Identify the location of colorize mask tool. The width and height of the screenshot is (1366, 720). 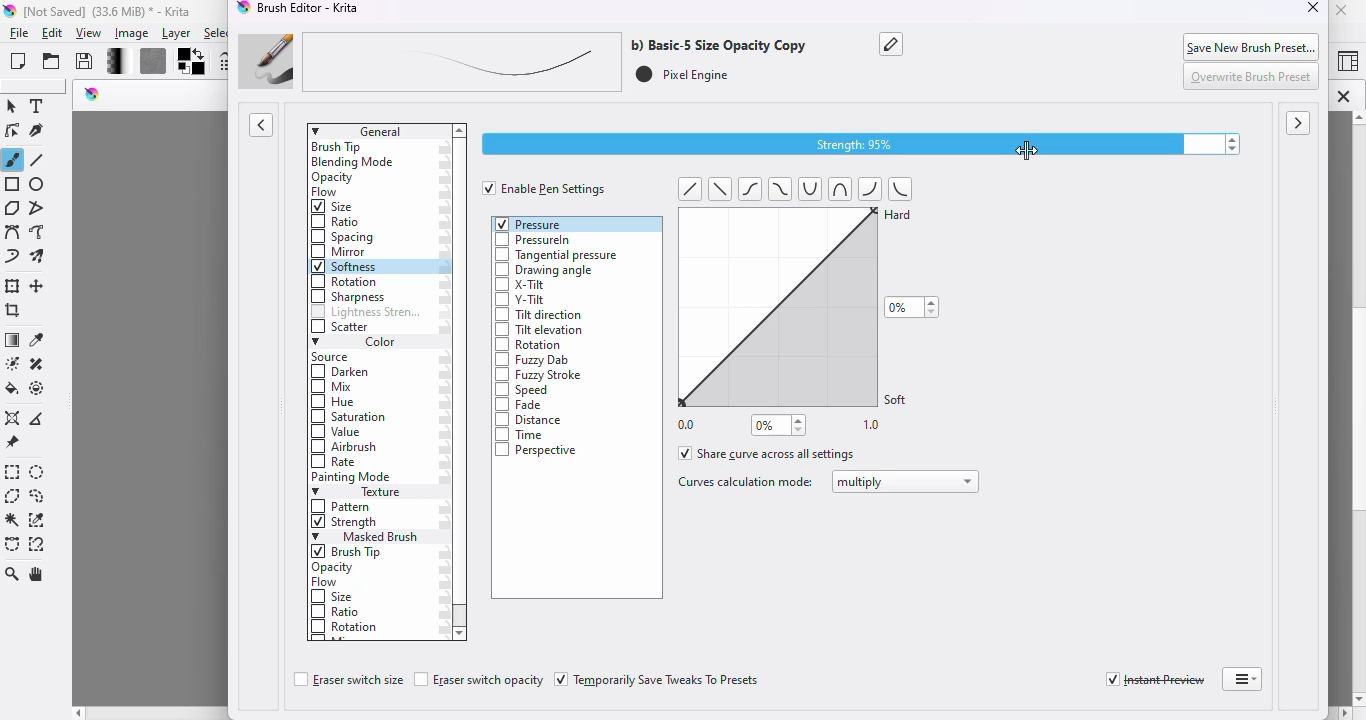
(11, 363).